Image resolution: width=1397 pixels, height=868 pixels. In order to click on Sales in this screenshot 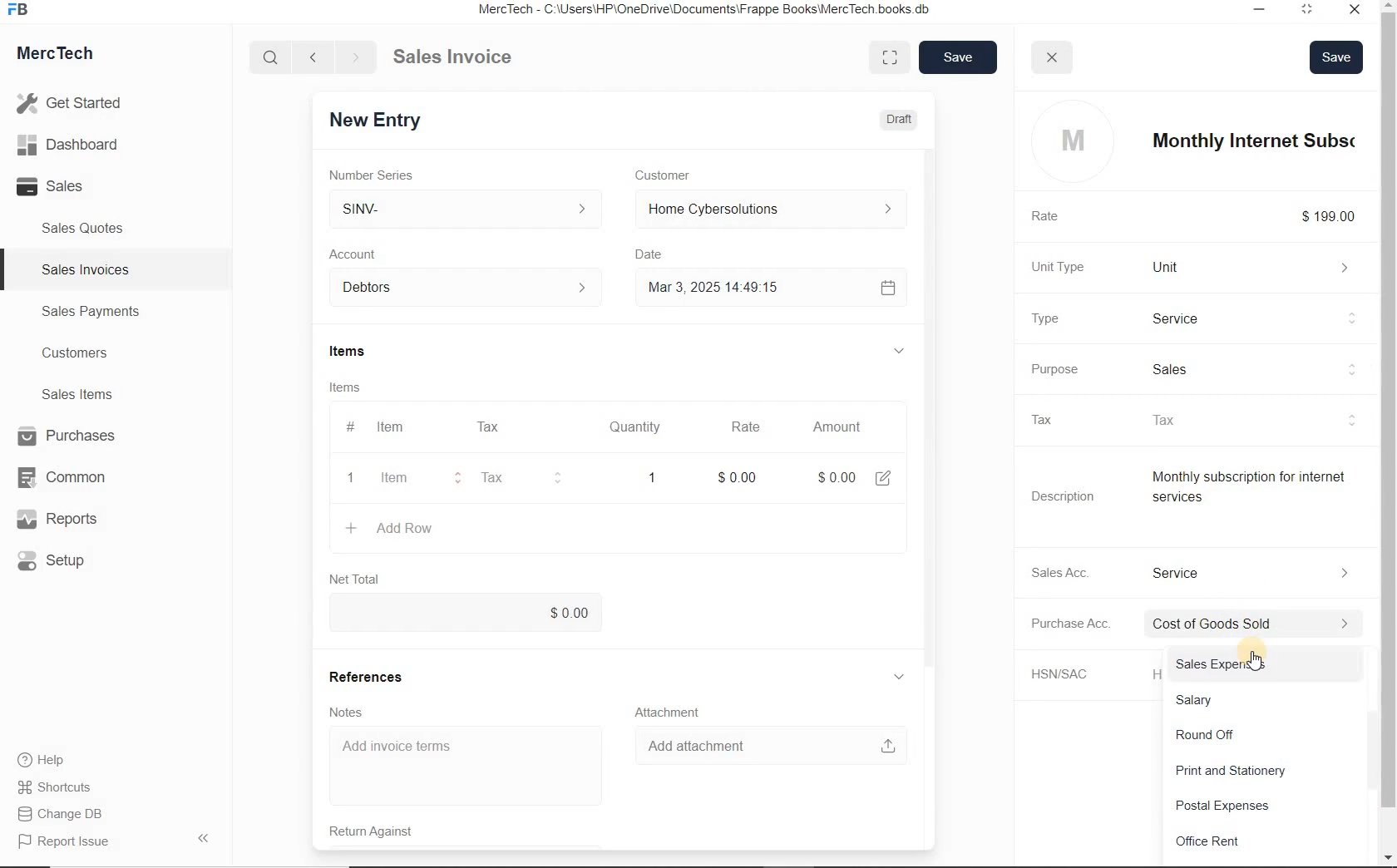, I will do `click(75, 186)`.